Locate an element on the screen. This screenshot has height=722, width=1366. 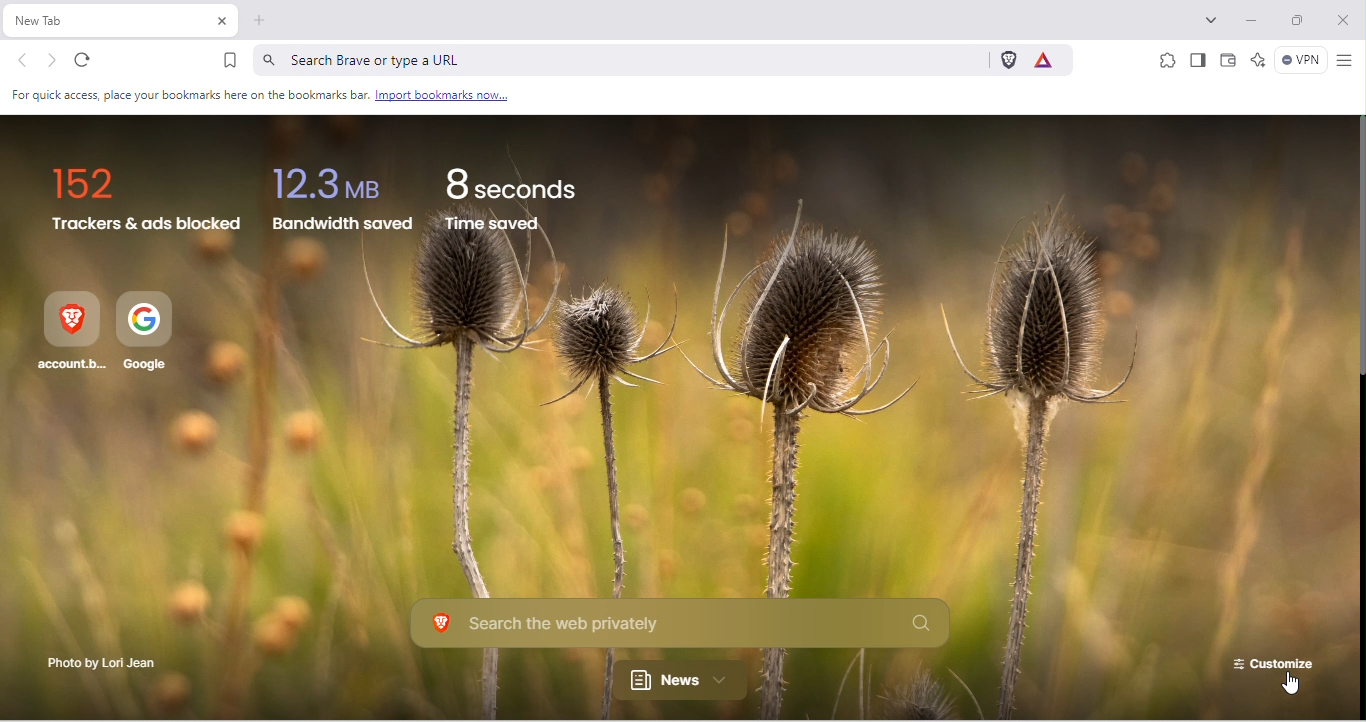
Click to go back is located at coordinates (23, 62).